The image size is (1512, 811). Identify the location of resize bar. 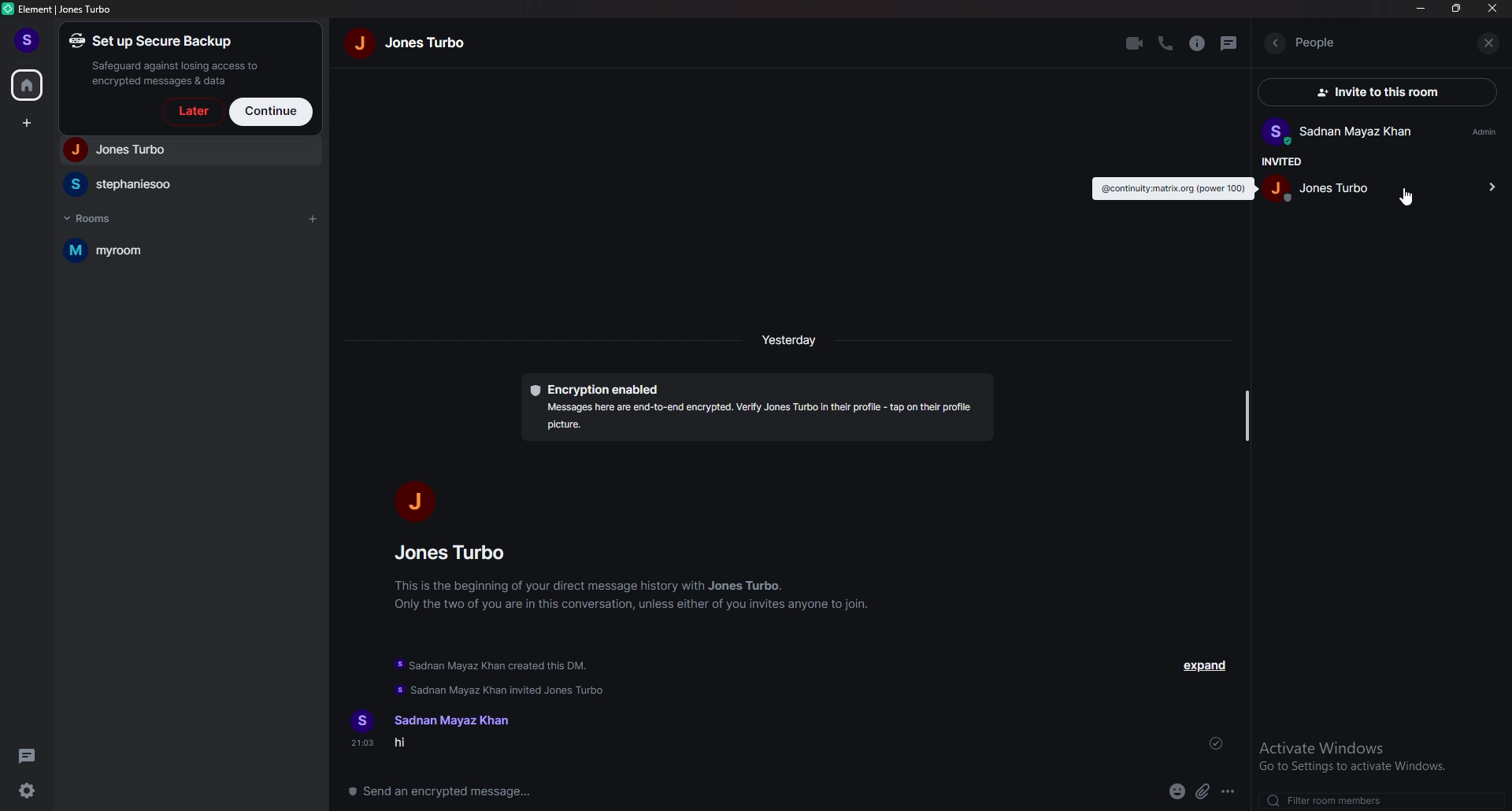
(1246, 413).